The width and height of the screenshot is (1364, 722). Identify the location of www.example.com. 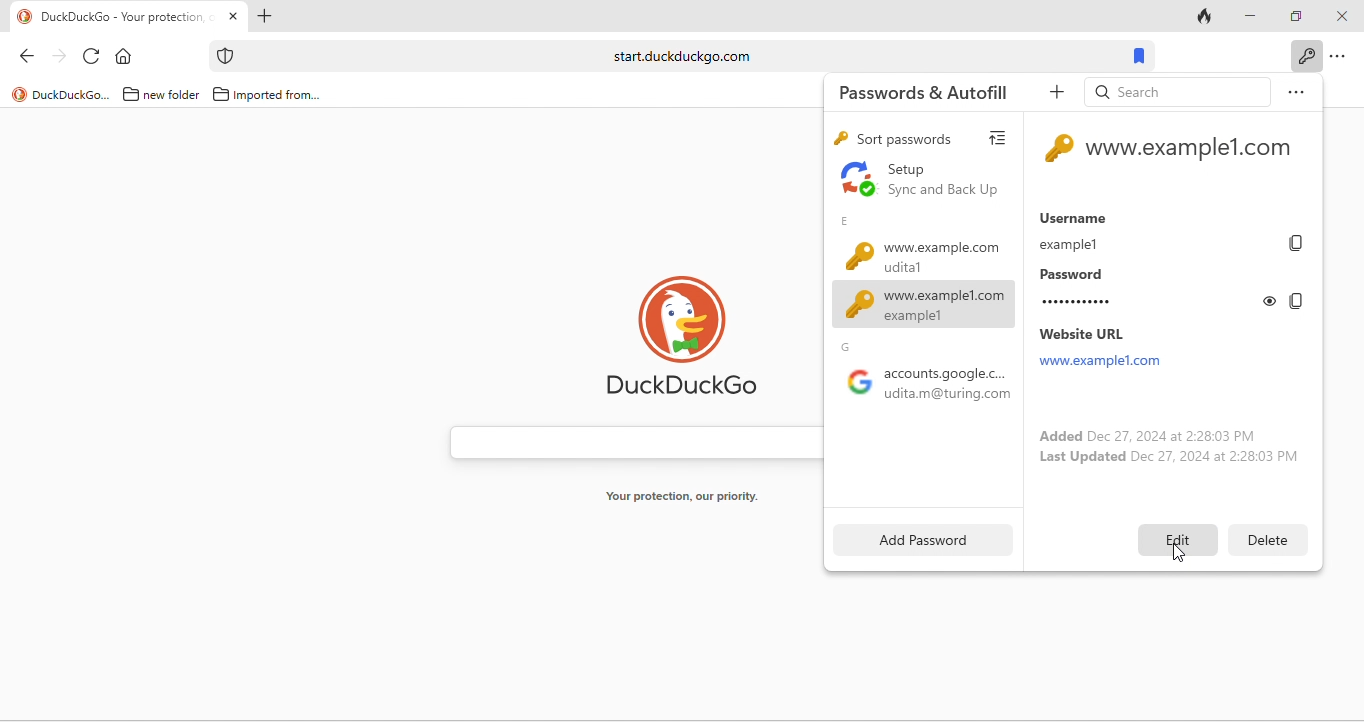
(928, 255).